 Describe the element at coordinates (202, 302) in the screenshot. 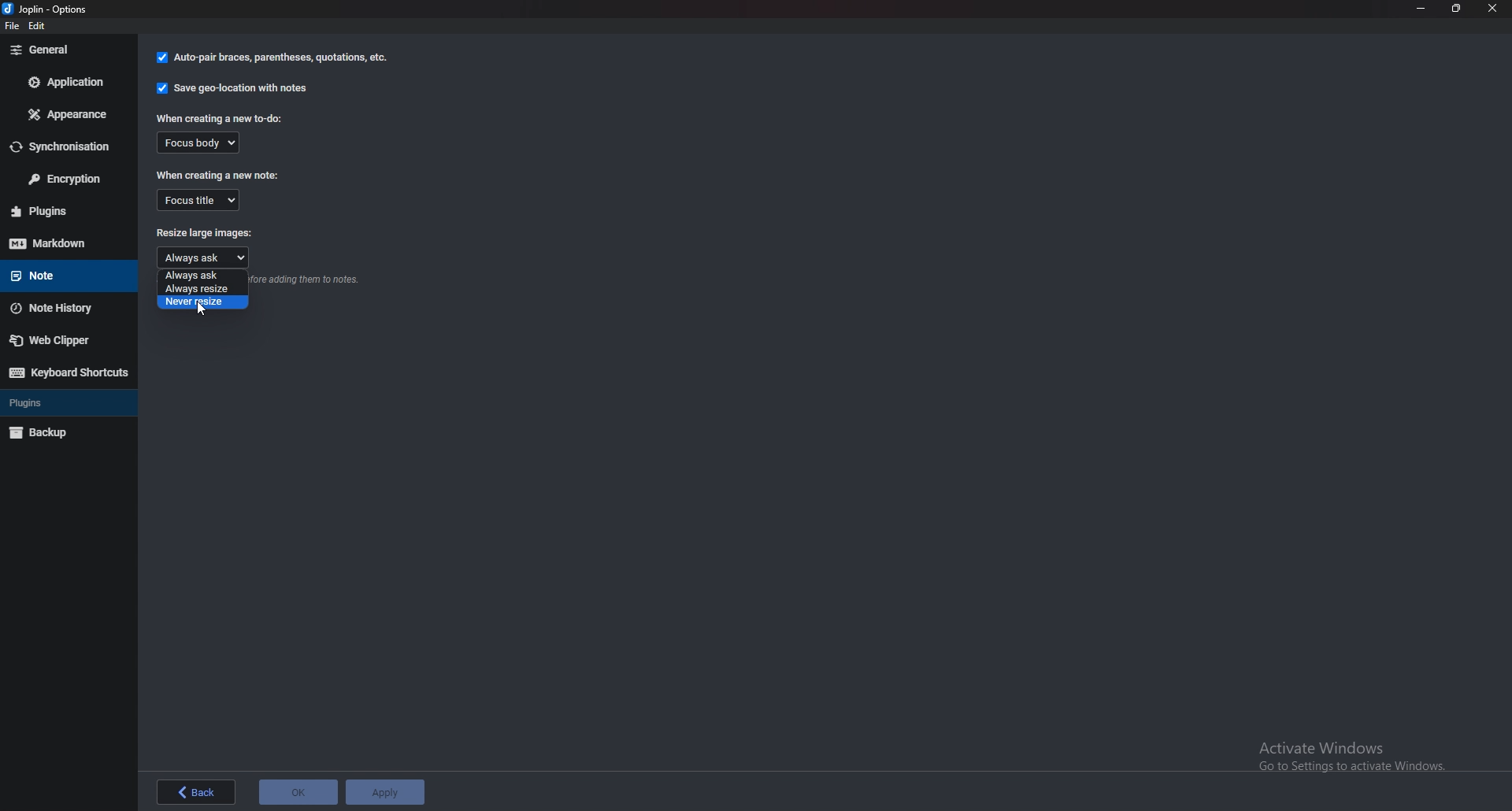

I see `Never resize` at that location.